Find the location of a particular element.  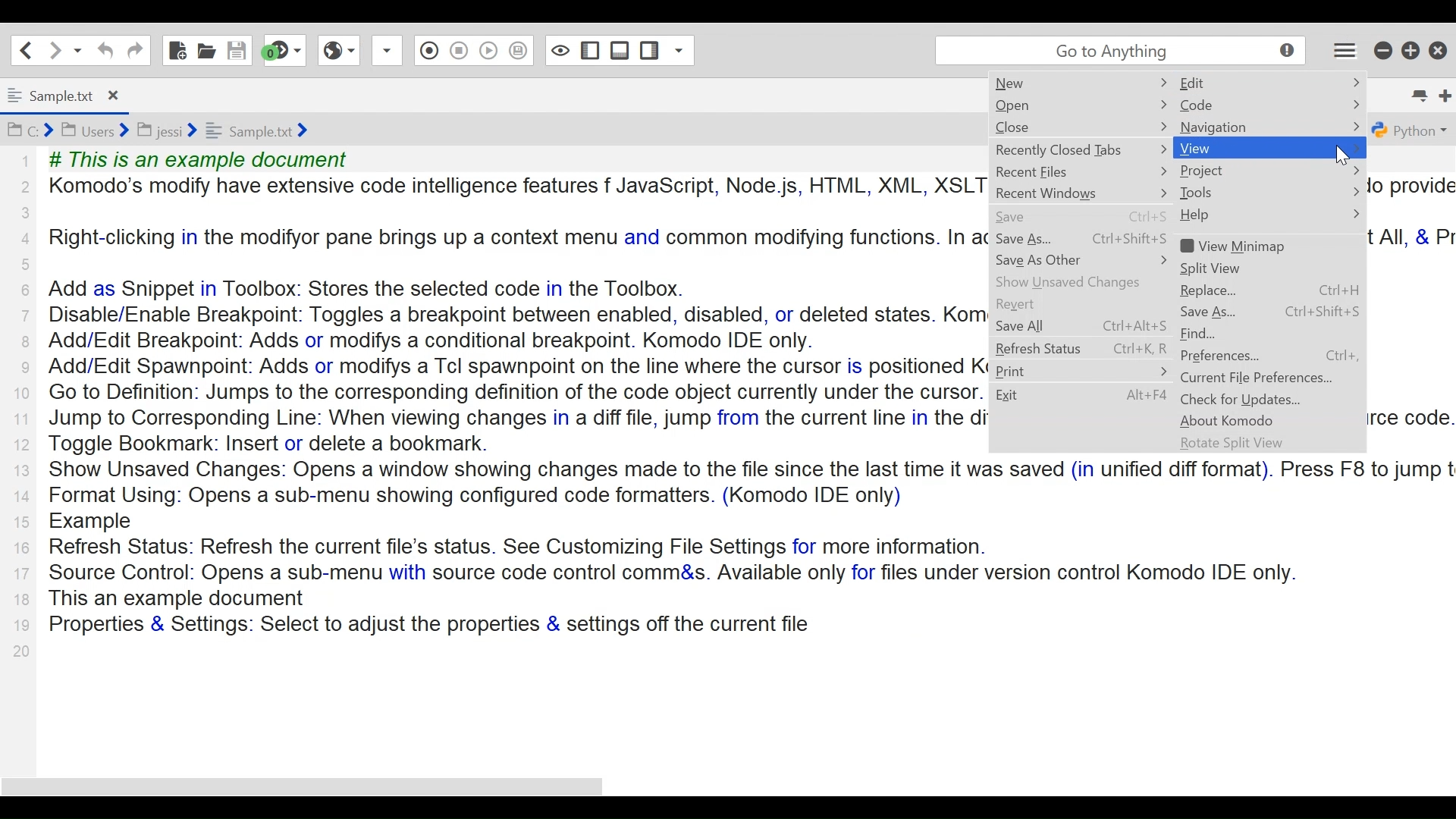

Edit is located at coordinates (1227, 82).